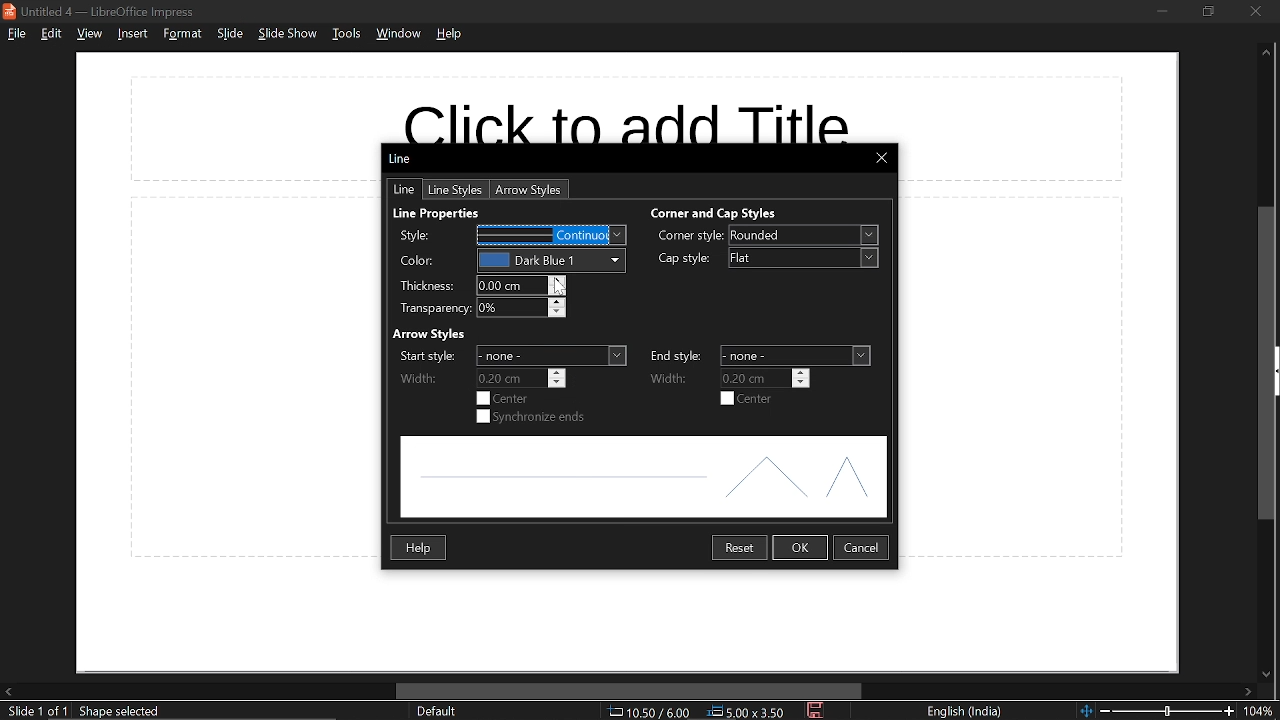 This screenshot has width=1280, height=720. I want to click on Headings, so click(587, 212).